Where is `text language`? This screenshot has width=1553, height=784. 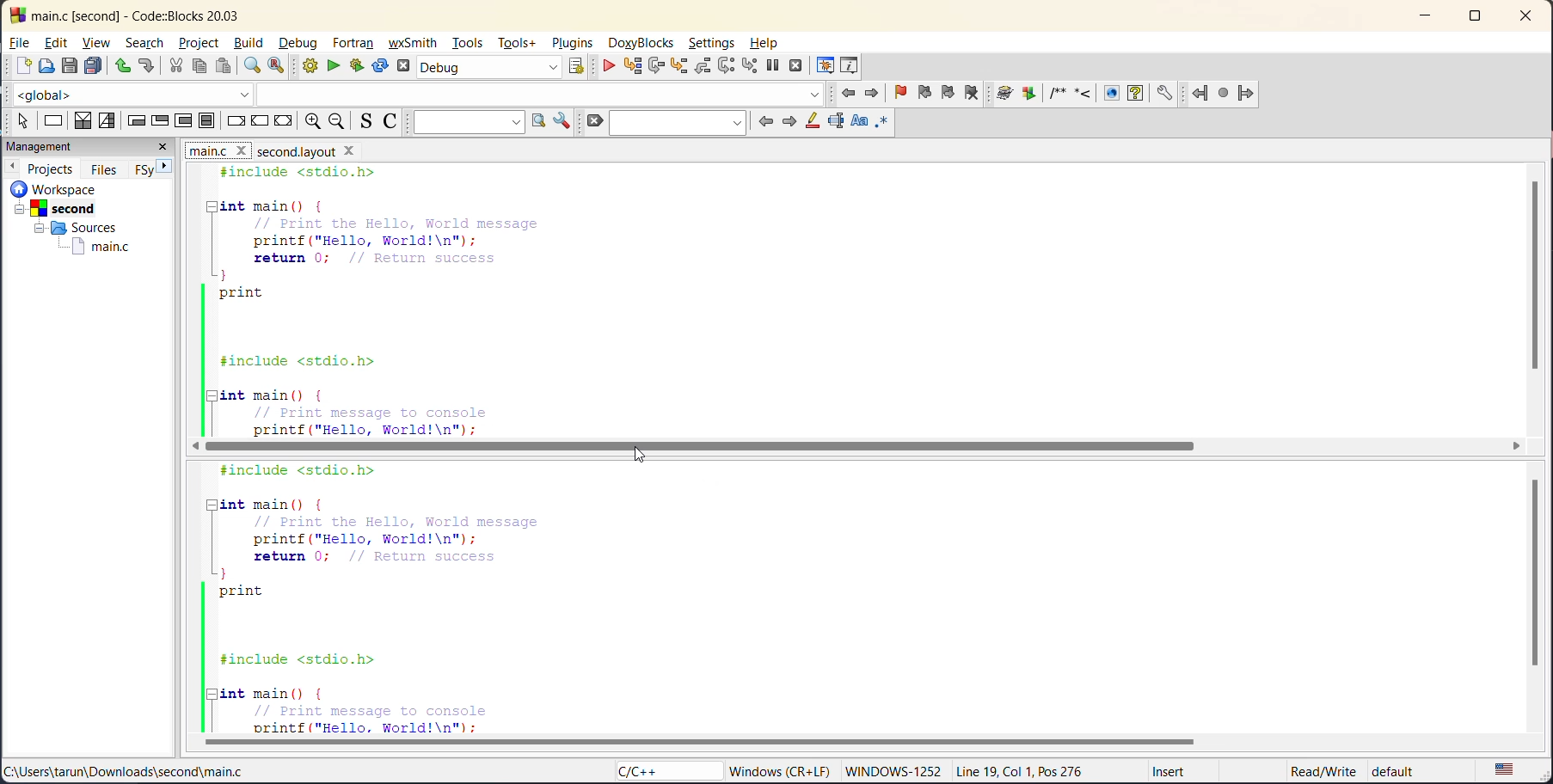 text language is located at coordinates (1507, 770).